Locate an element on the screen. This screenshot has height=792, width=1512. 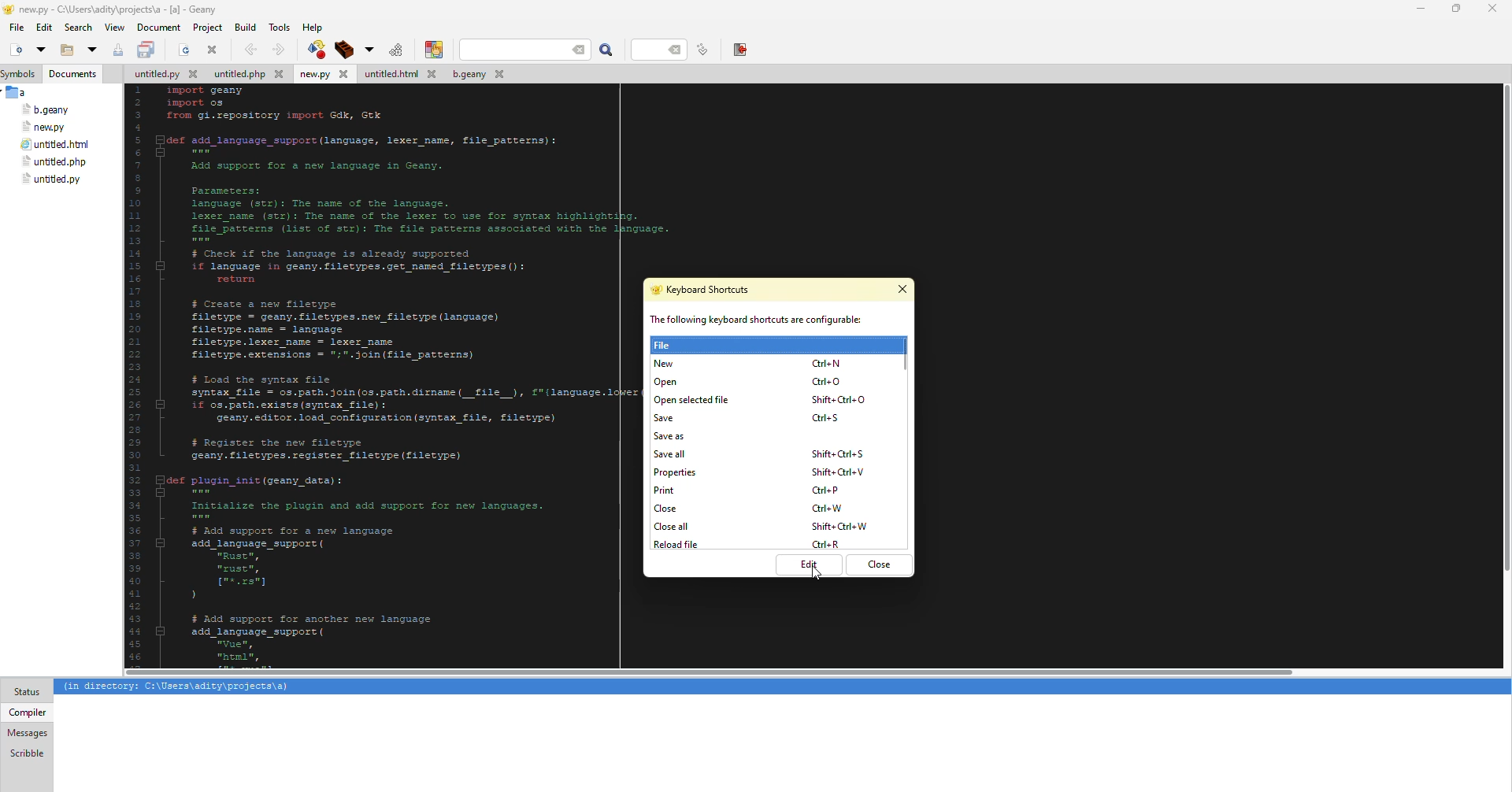
status is located at coordinates (27, 692).